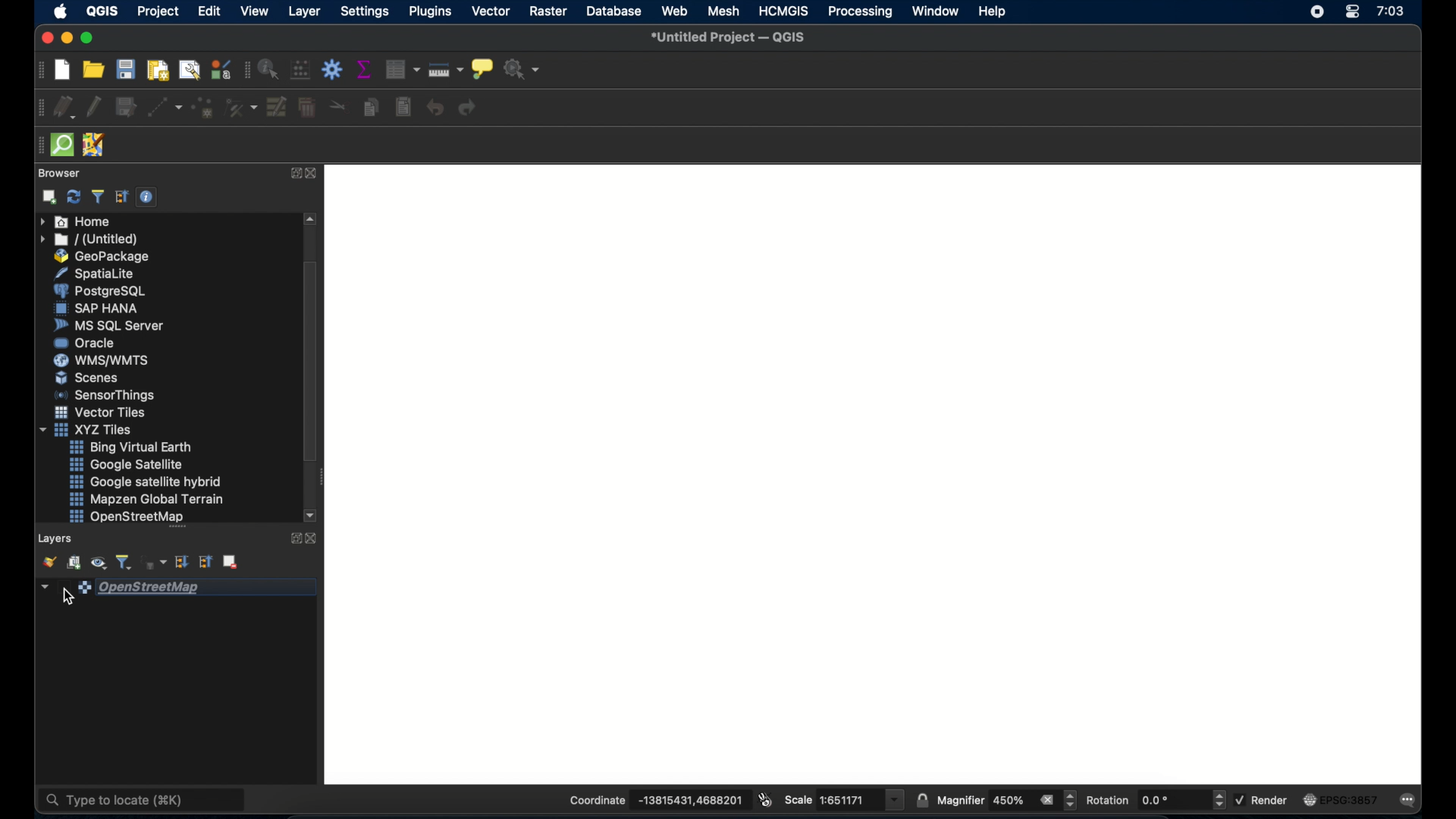 The width and height of the screenshot is (1456, 819). What do you see at coordinates (64, 71) in the screenshot?
I see `new project` at bounding box center [64, 71].